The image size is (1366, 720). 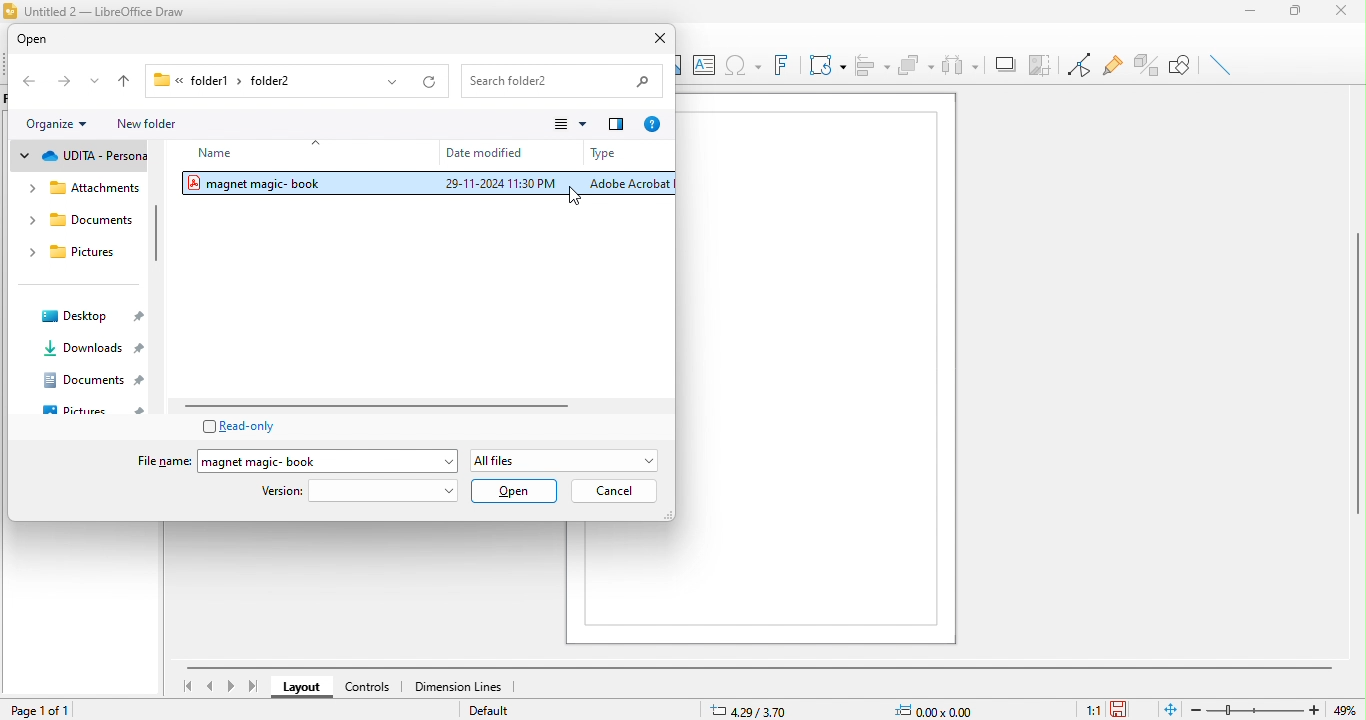 What do you see at coordinates (1165, 709) in the screenshot?
I see `fit to the current window` at bounding box center [1165, 709].